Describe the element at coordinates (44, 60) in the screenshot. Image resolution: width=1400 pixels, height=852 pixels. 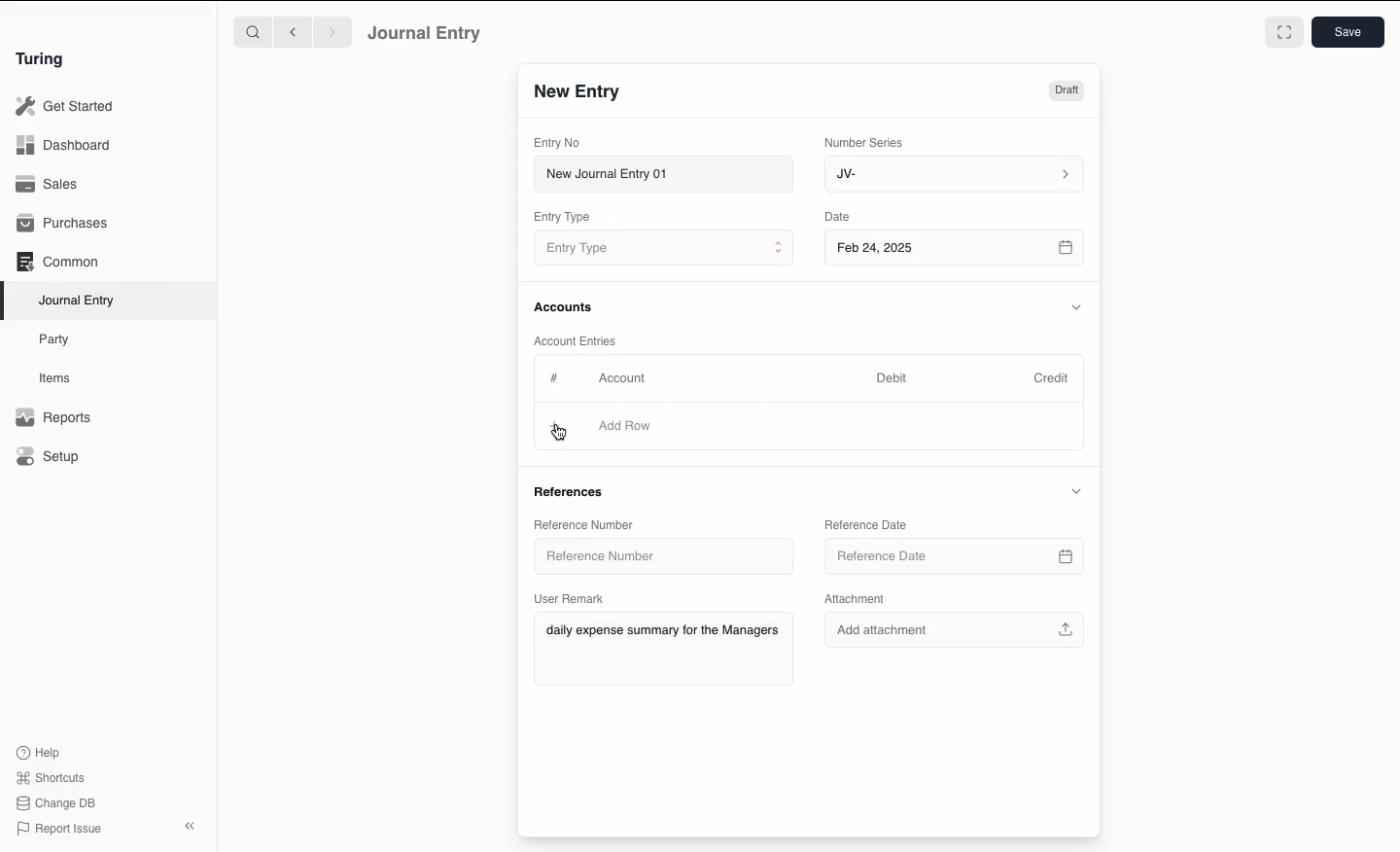
I see `Turing` at that location.